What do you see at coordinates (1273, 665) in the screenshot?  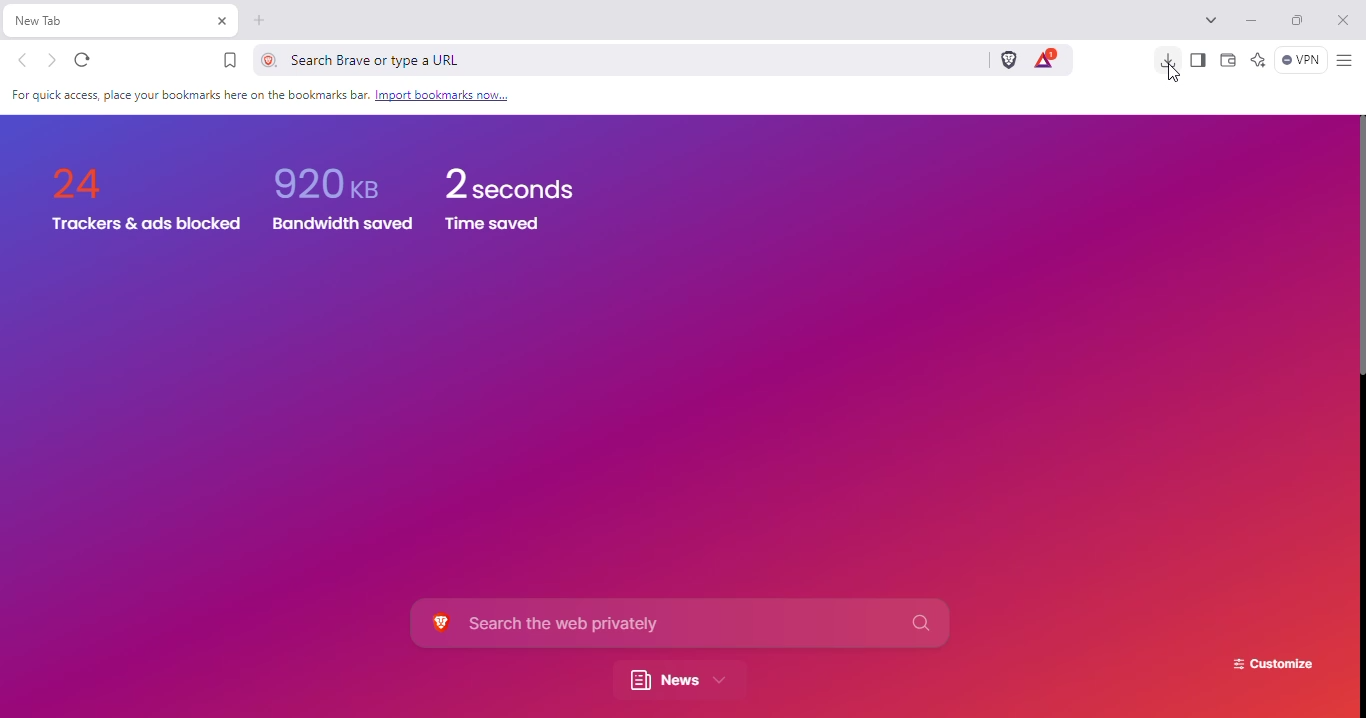 I see `customize` at bounding box center [1273, 665].